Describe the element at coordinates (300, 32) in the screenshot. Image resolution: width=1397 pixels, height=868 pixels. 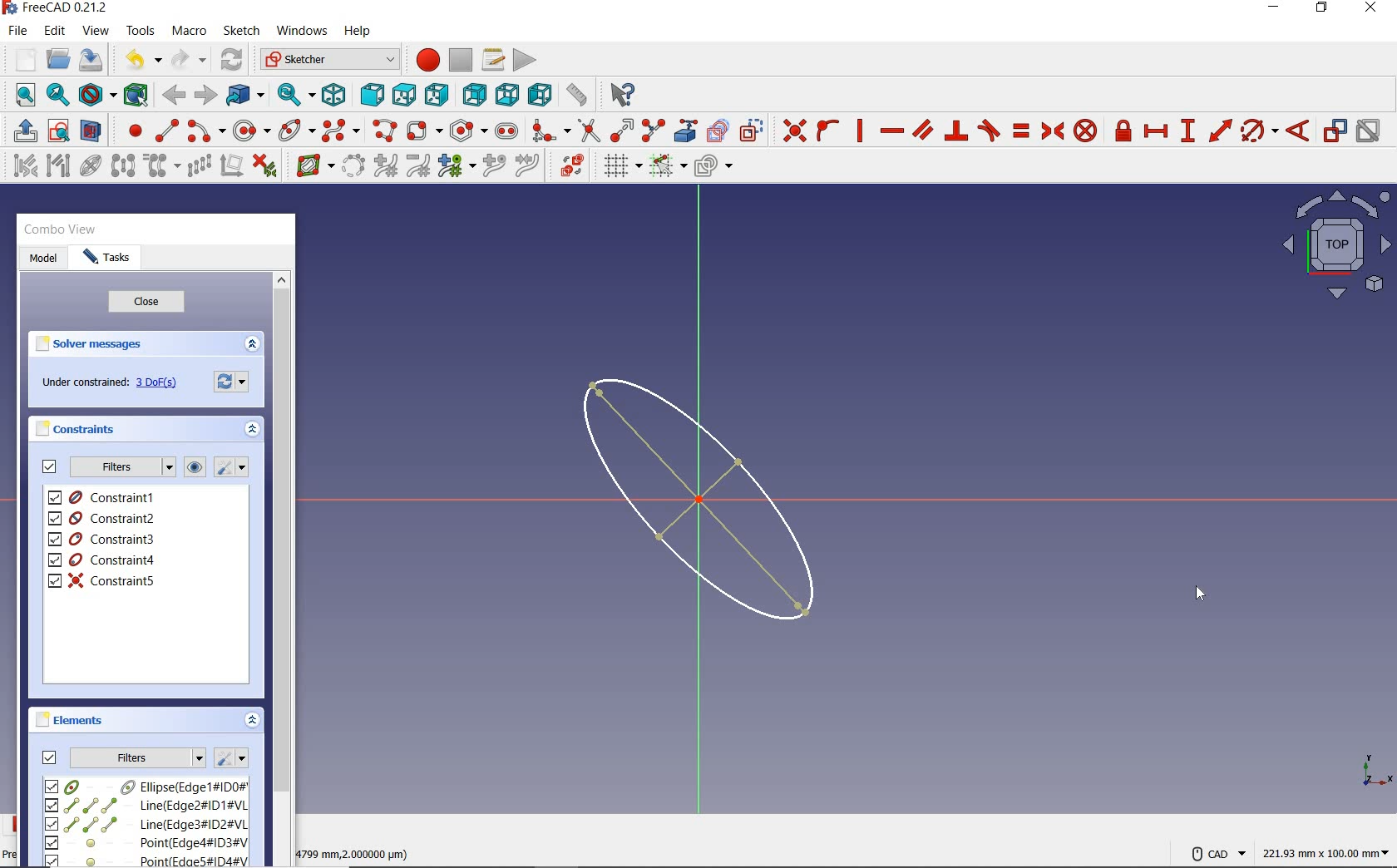
I see `windows` at that location.